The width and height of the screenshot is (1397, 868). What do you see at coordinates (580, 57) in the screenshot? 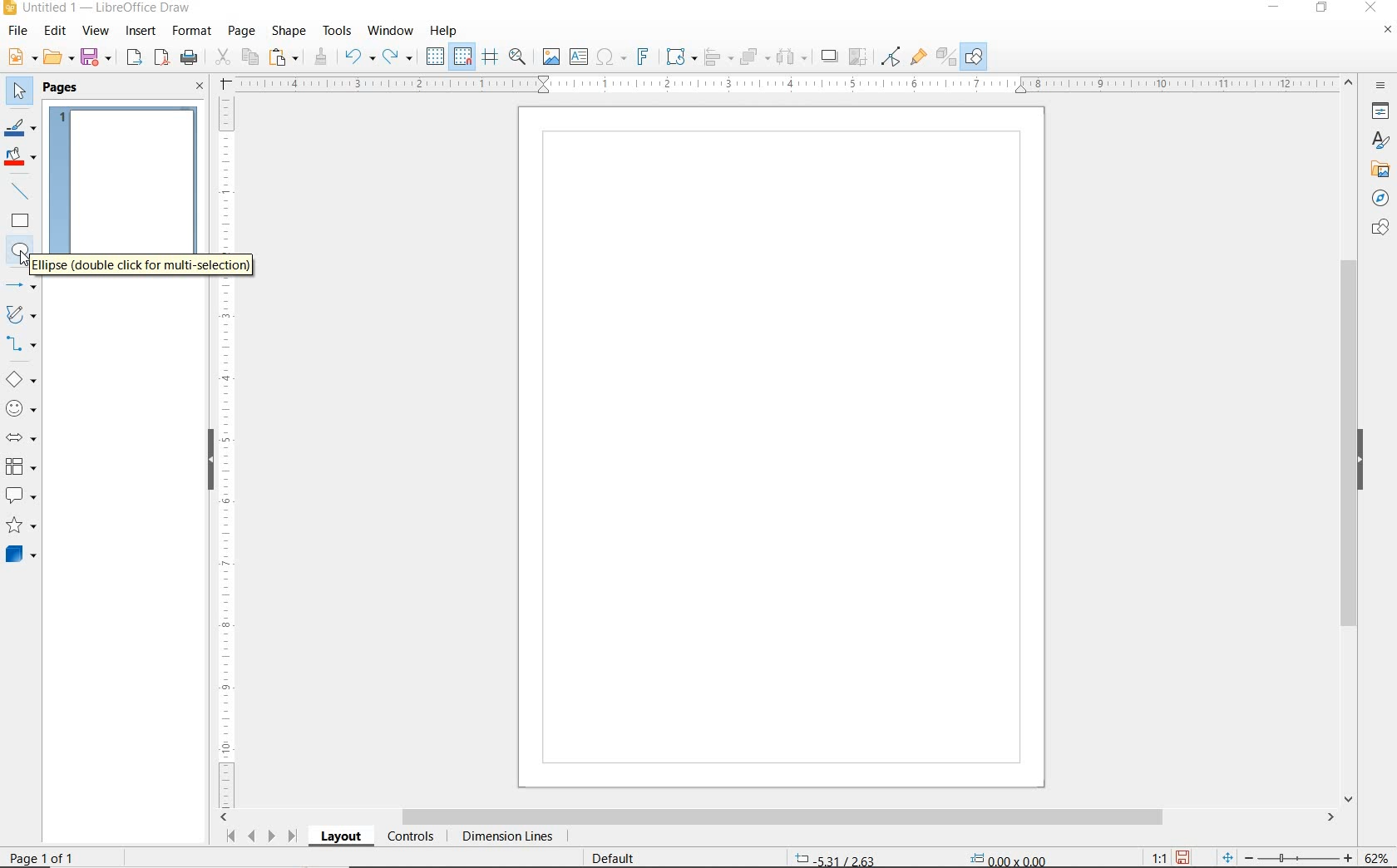
I see `INSERT TEXT BOX` at bounding box center [580, 57].